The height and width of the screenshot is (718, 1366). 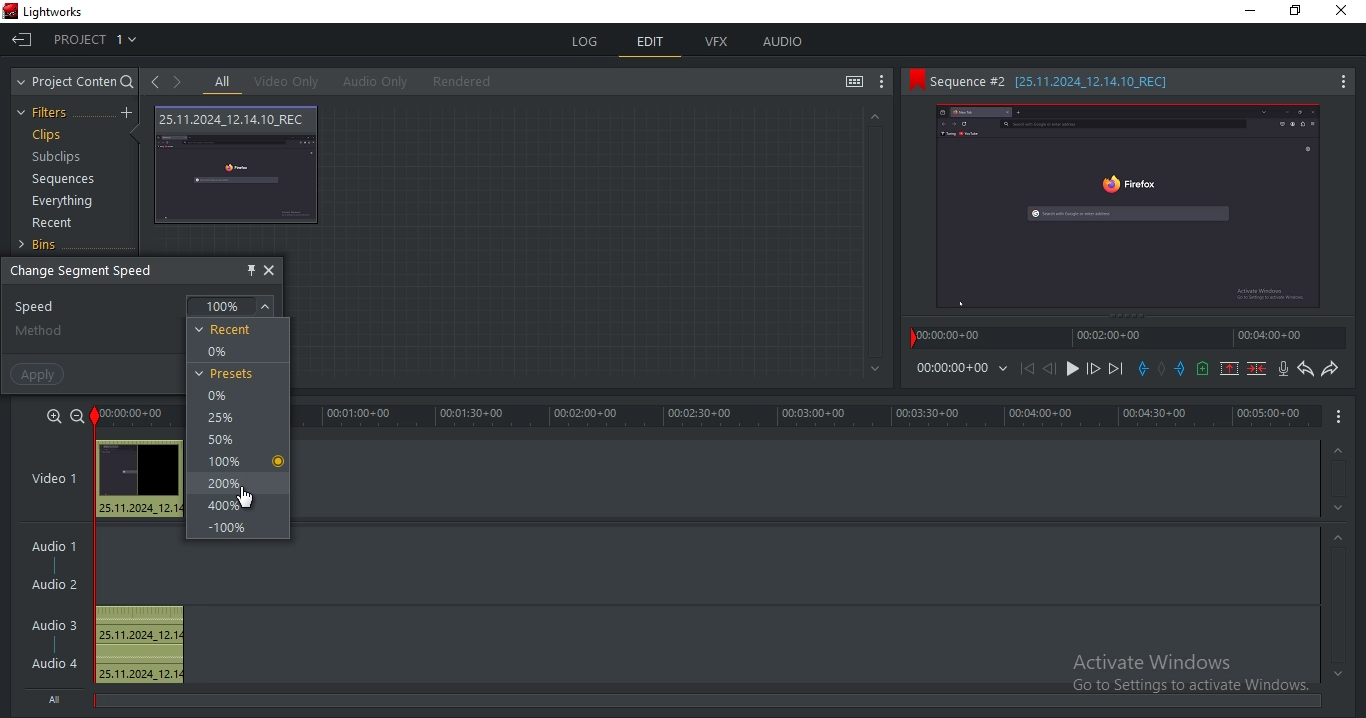 I want to click on speed, so click(x=38, y=306).